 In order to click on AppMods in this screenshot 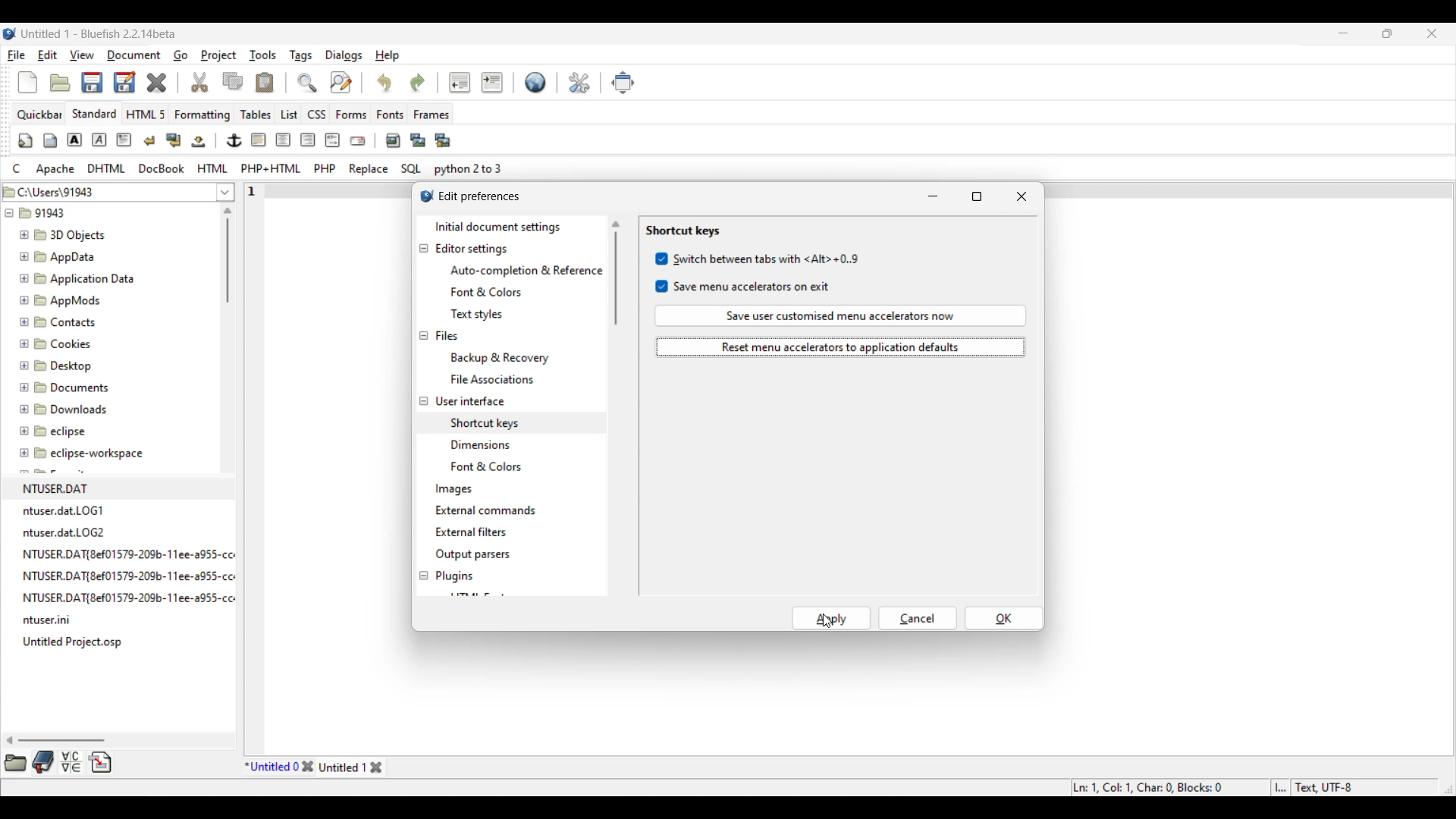, I will do `click(58, 298)`.